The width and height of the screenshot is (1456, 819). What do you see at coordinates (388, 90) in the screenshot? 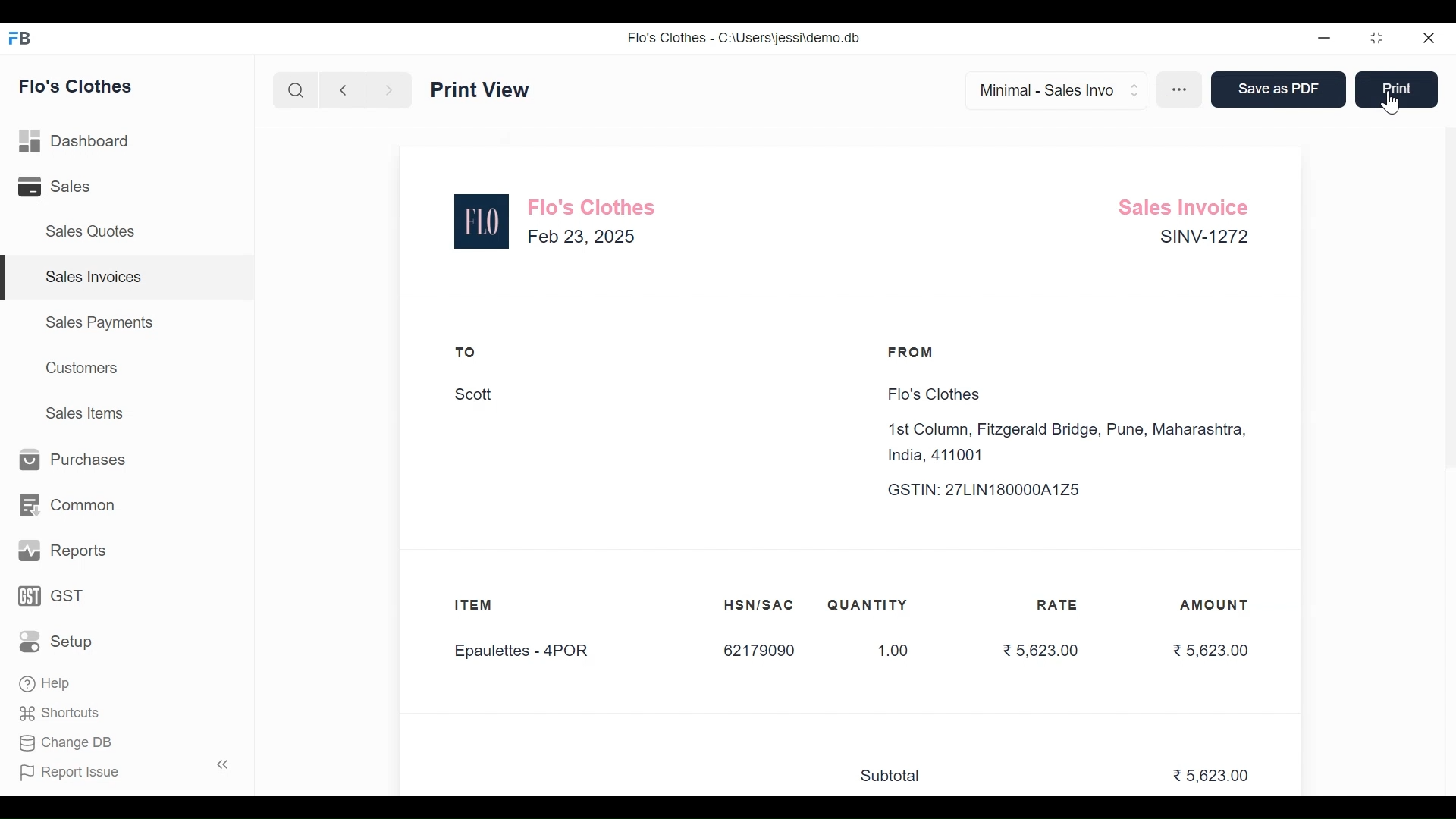
I see `Navigate Forward` at bounding box center [388, 90].